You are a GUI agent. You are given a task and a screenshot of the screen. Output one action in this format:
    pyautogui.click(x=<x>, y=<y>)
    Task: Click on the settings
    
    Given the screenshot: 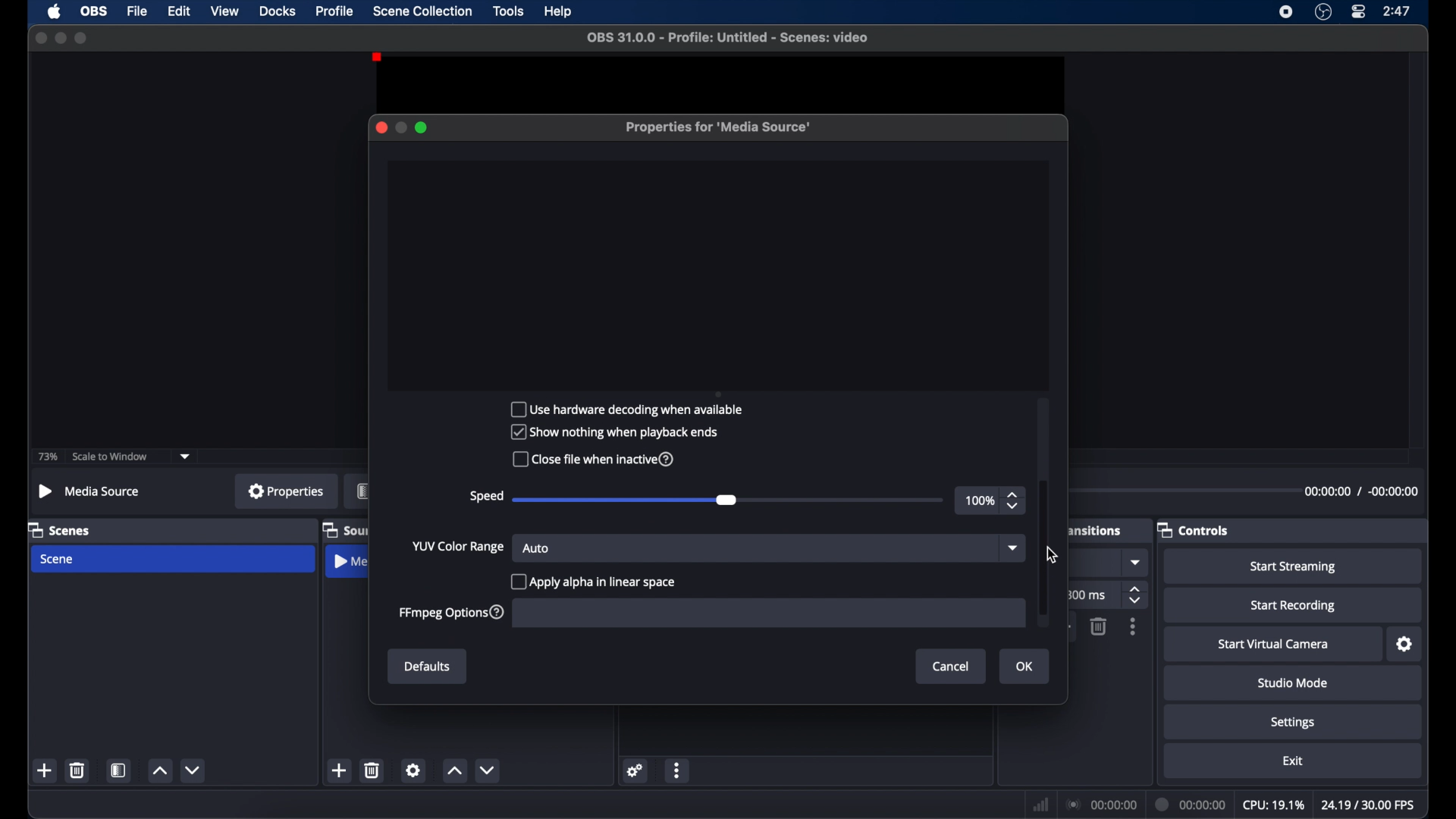 What is the action you would take?
    pyautogui.click(x=1293, y=723)
    